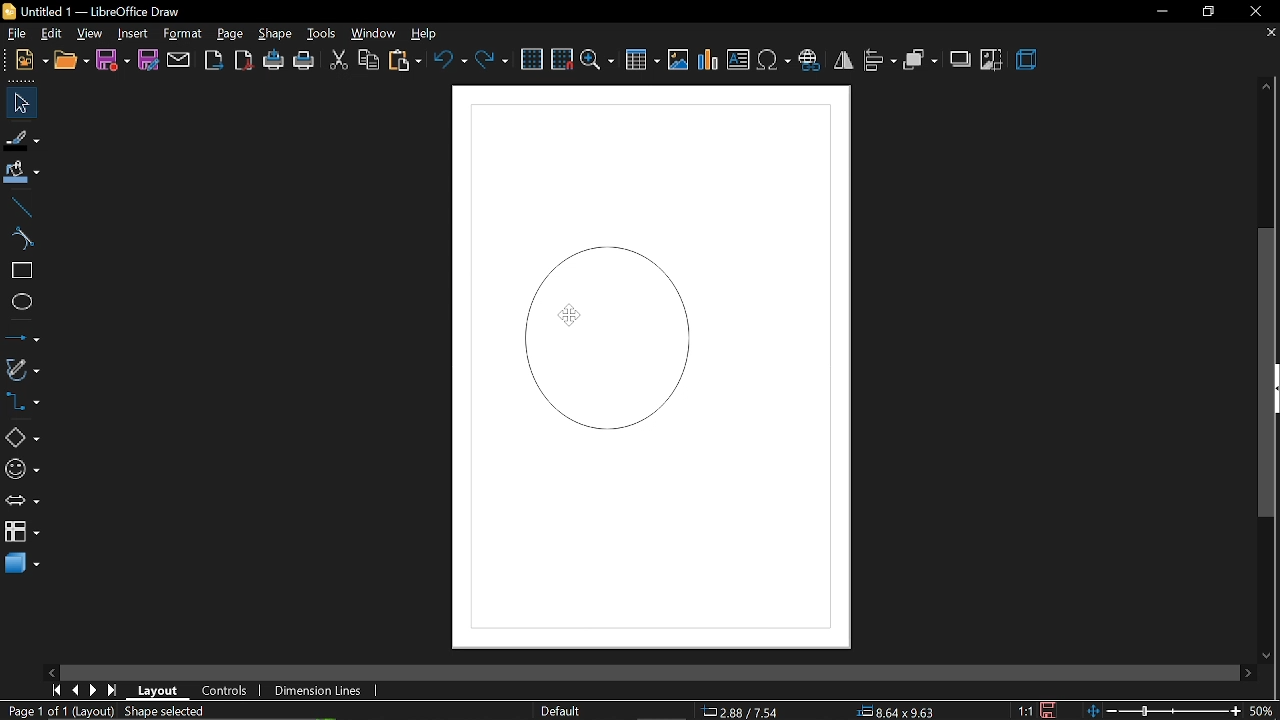 The image size is (1280, 720). What do you see at coordinates (19, 104) in the screenshot?
I see `select` at bounding box center [19, 104].